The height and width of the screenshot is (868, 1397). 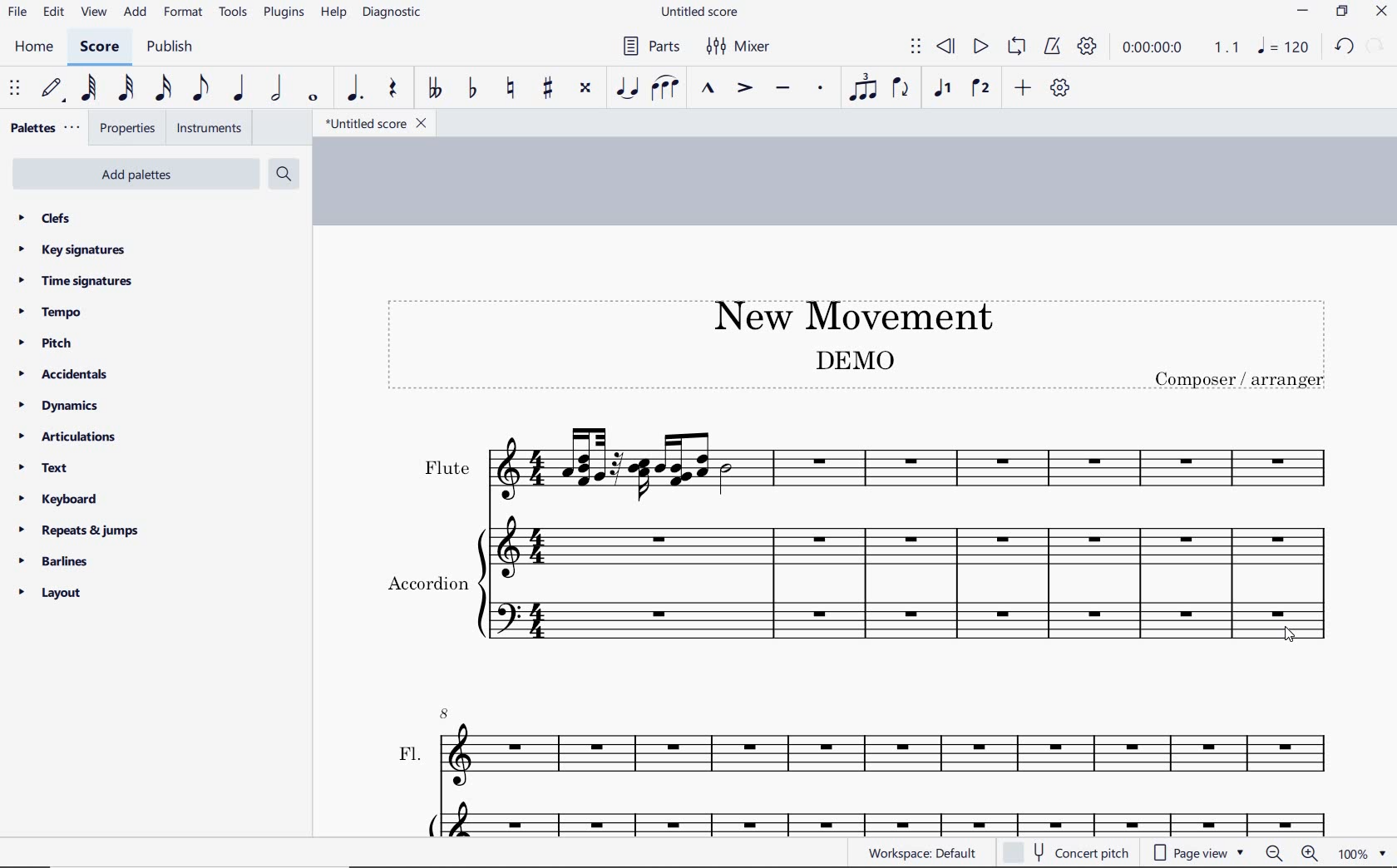 What do you see at coordinates (393, 90) in the screenshot?
I see `rest` at bounding box center [393, 90].